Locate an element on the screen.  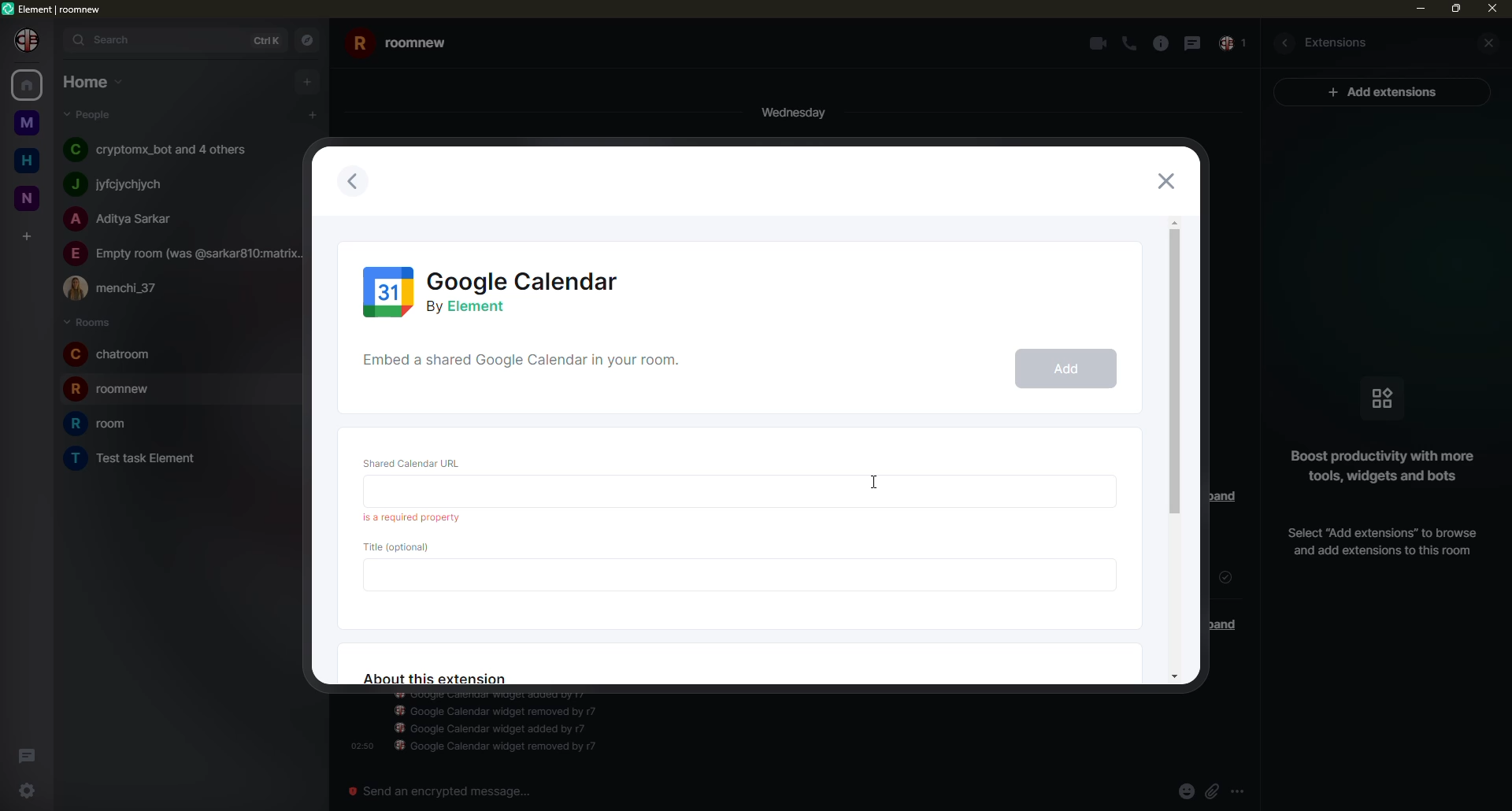
room is located at coordinates (112, 354).